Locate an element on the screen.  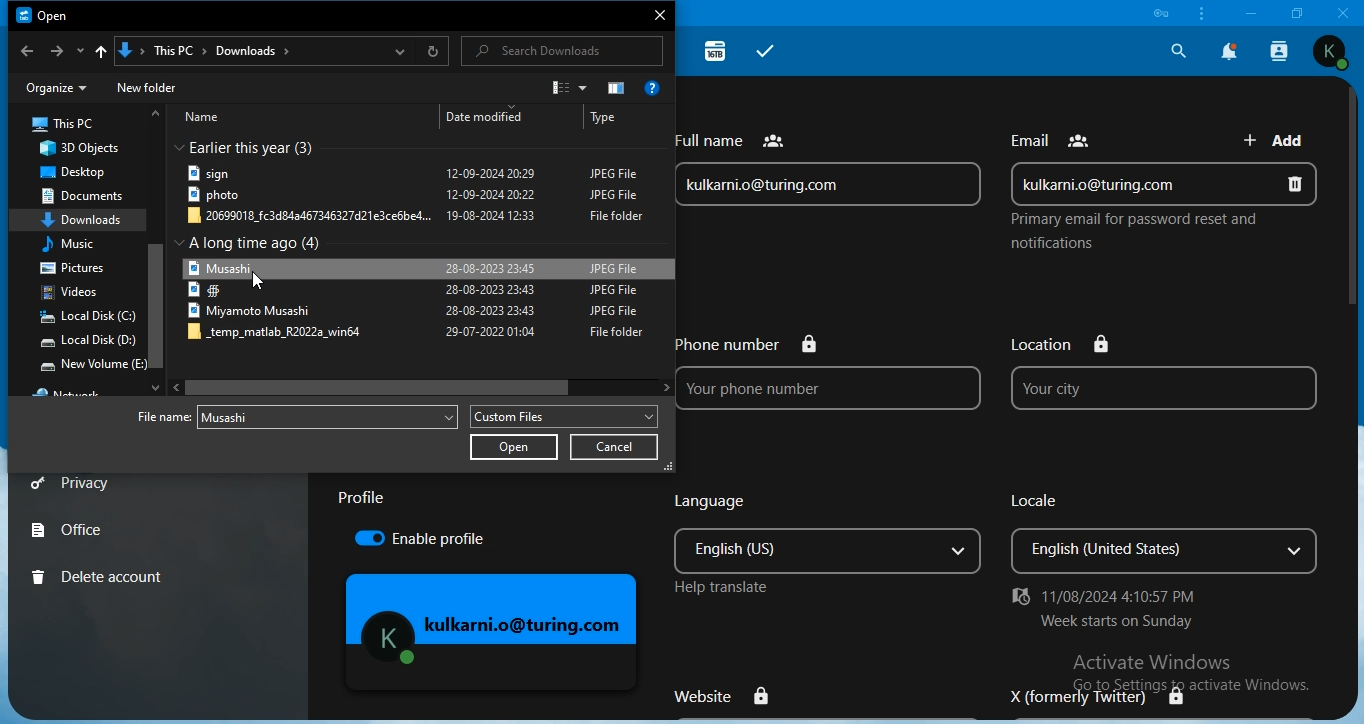
videos is located at coordinates (72, 294).